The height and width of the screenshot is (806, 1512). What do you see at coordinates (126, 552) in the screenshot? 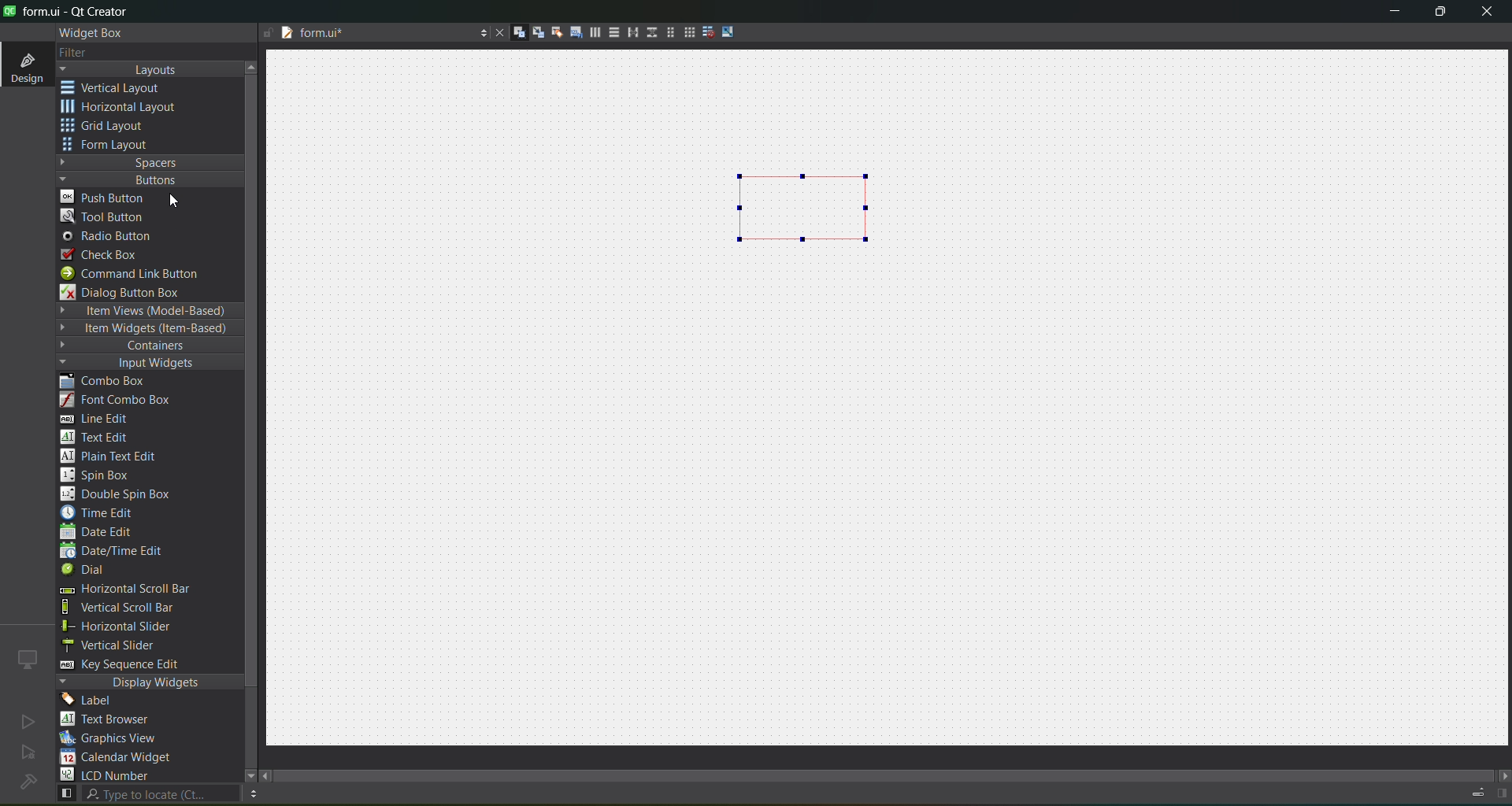
I see `date/time edit` at bounding box center [126, 552].